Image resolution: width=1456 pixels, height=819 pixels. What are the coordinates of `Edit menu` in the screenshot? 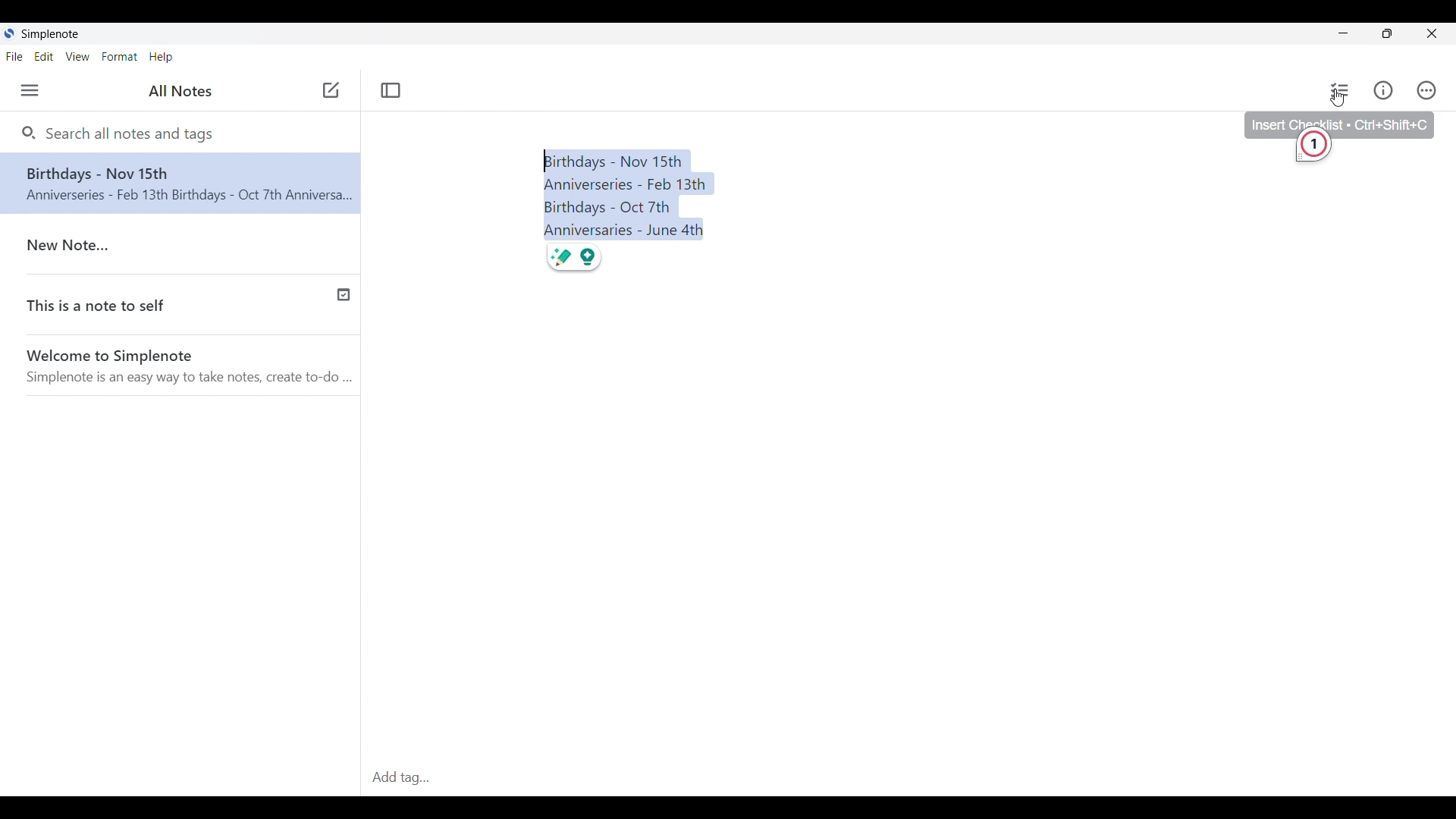 It's located at (44, 57).